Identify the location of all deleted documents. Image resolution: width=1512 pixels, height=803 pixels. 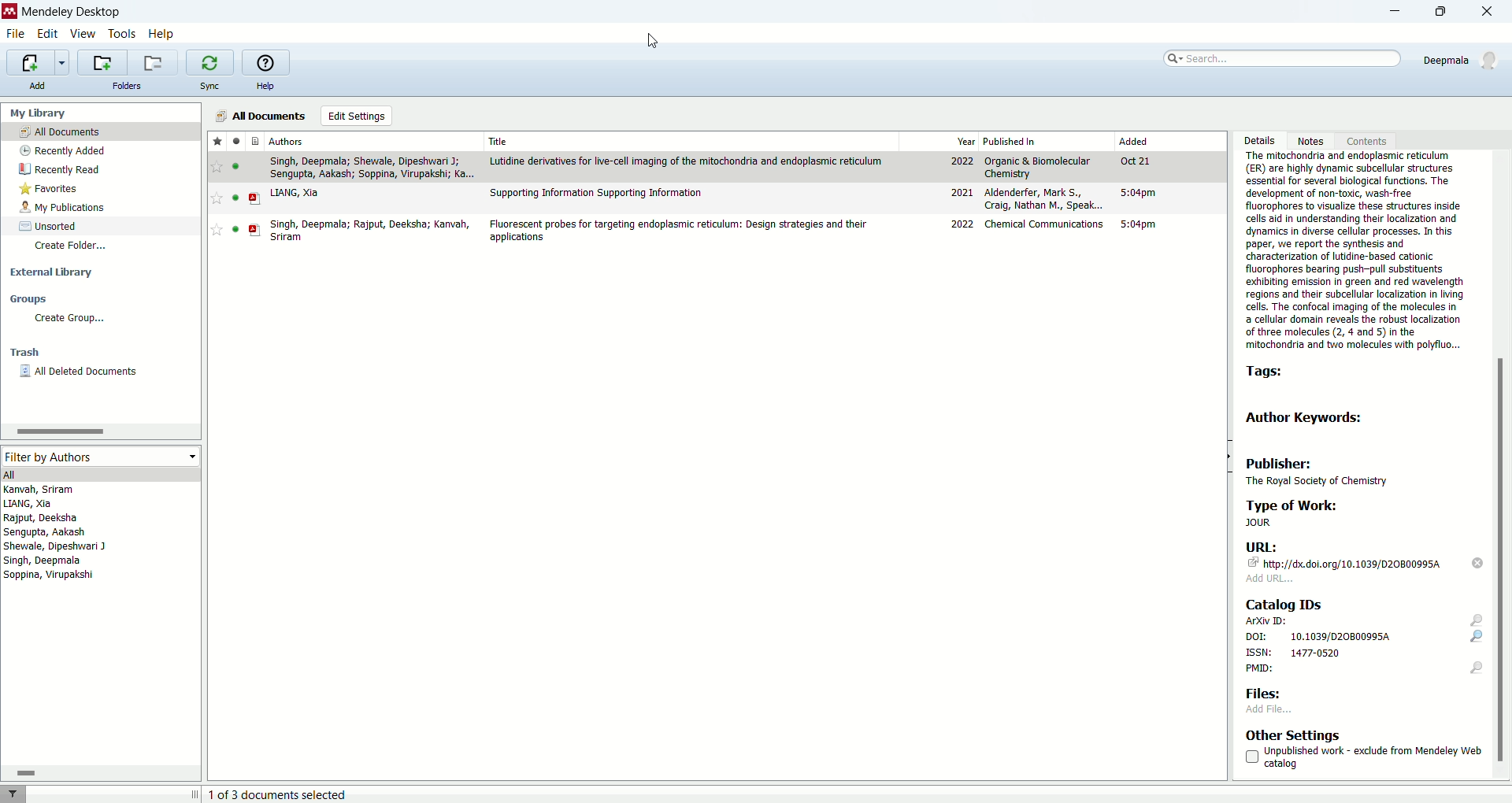
(80, 372).